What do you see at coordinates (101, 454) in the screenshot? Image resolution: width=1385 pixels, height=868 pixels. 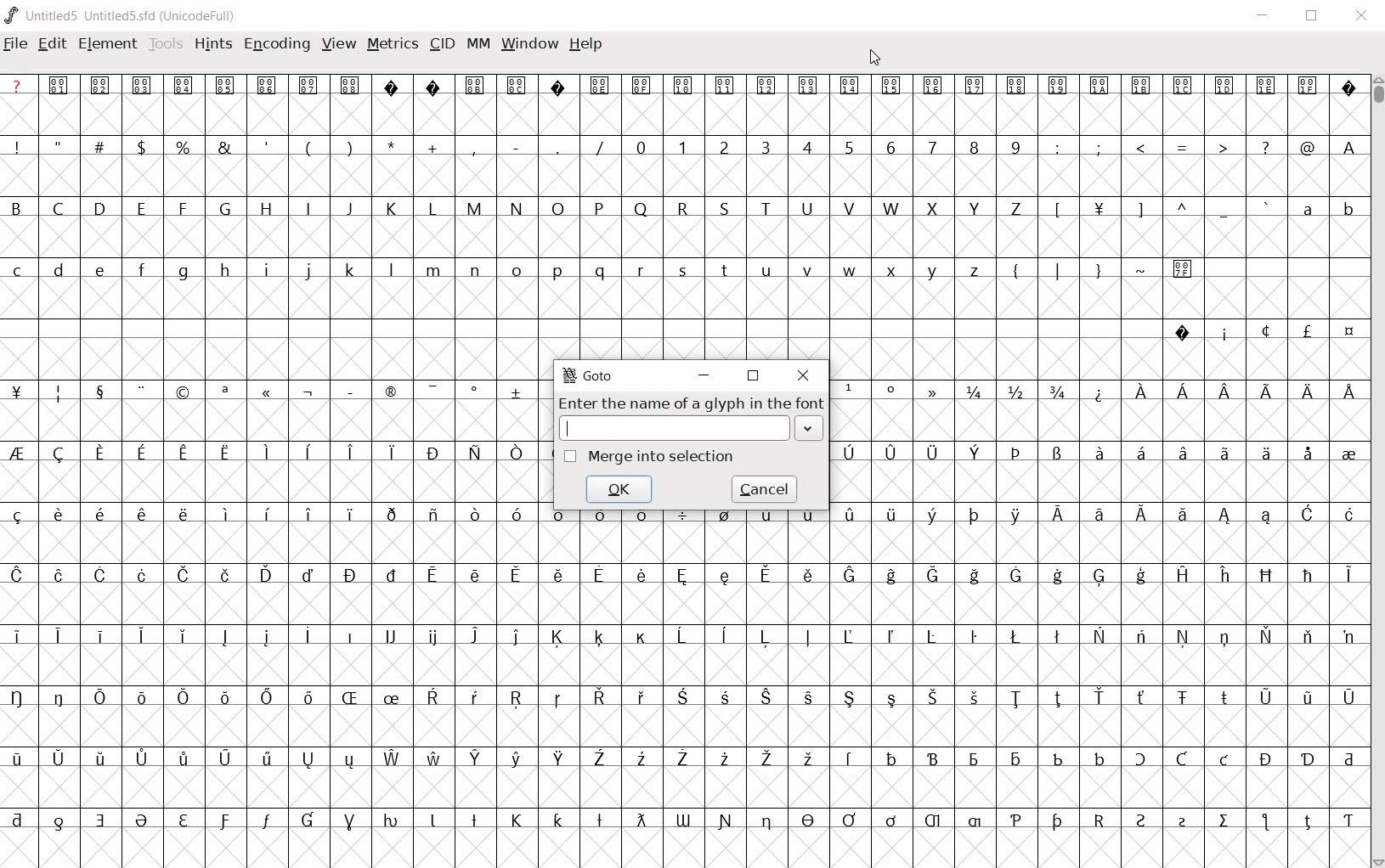 I see `Symbol` at bounding box center [101, 454].